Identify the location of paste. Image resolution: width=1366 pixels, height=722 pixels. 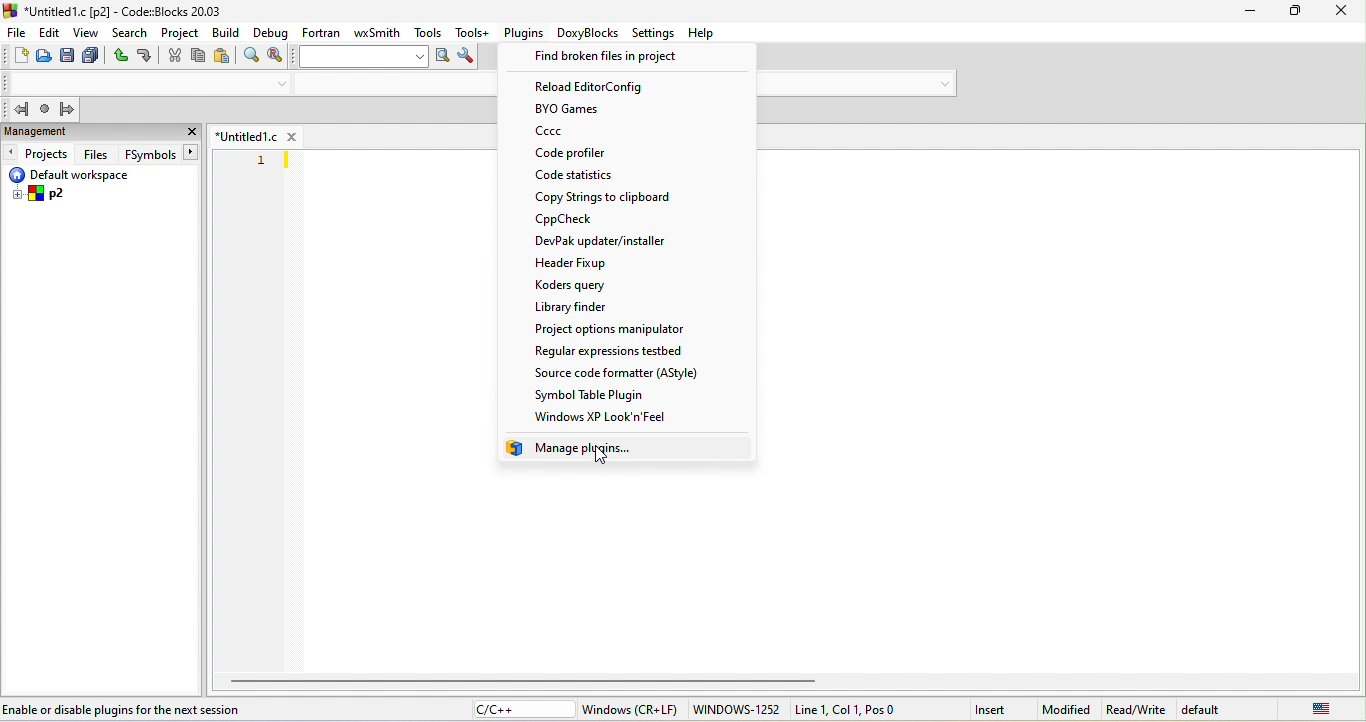
(227, 58).